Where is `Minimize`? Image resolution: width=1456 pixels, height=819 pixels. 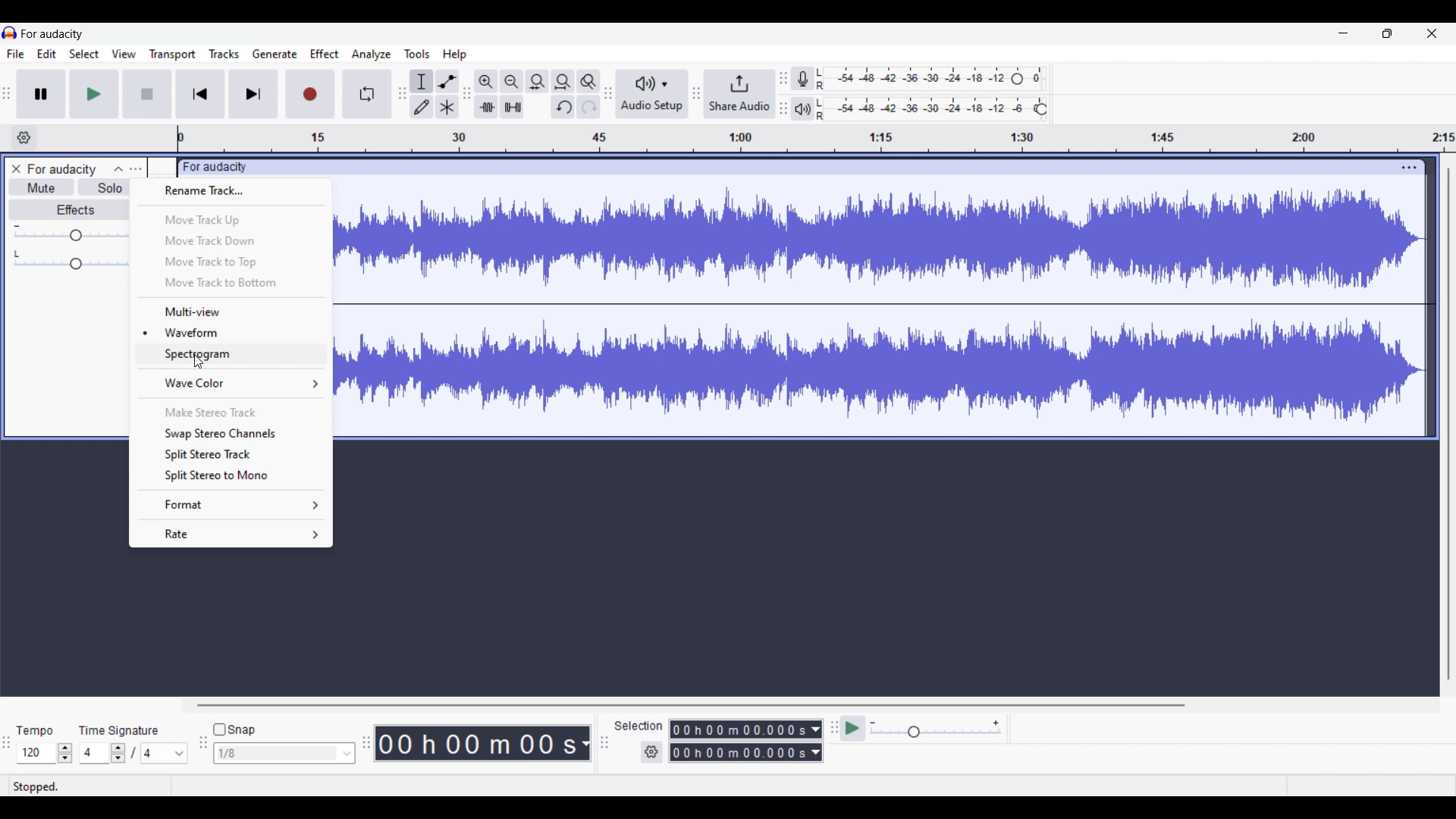
Minimize is located at coordinates (1344, 33).